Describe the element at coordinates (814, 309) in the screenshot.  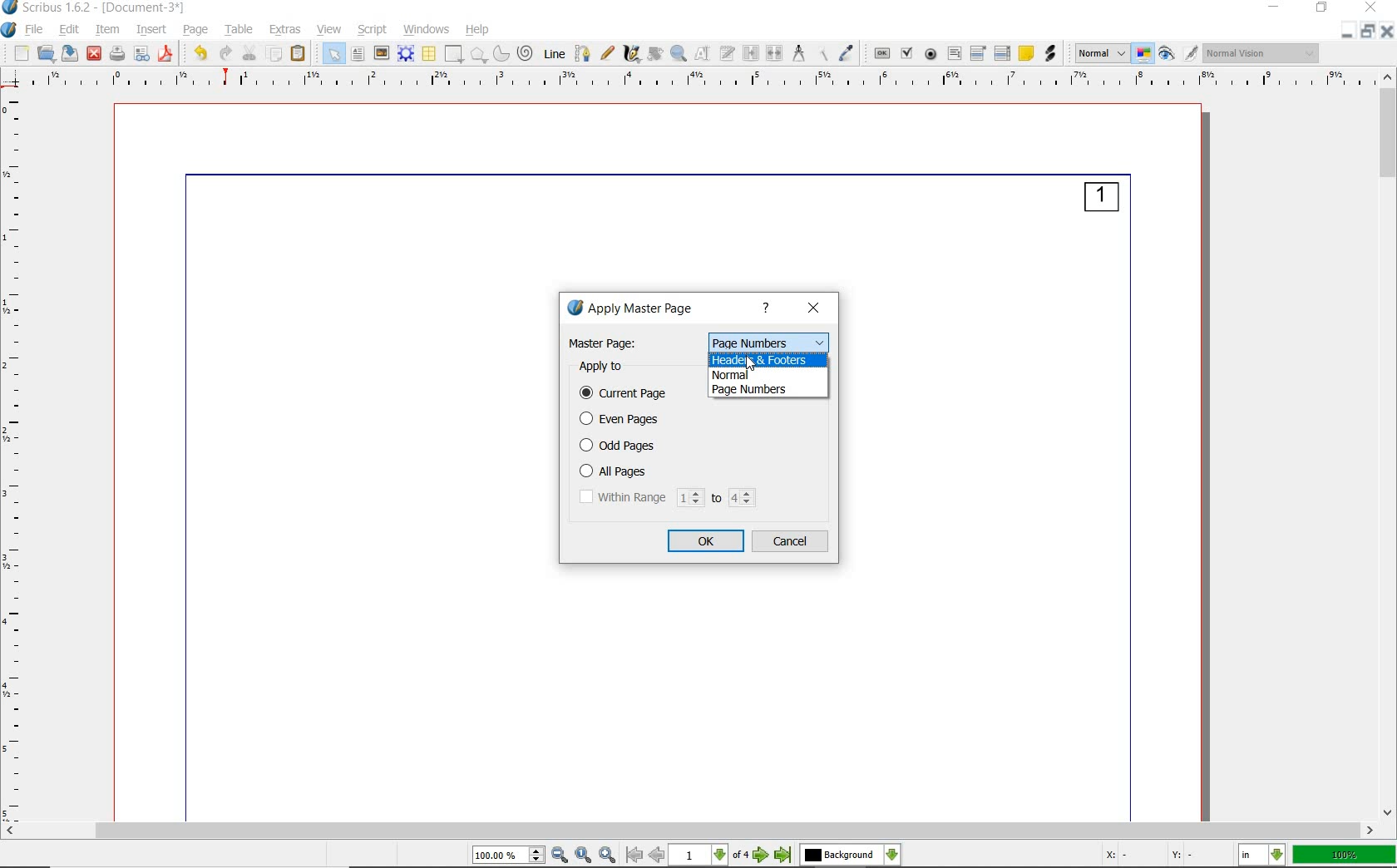
I see `close` at that location.